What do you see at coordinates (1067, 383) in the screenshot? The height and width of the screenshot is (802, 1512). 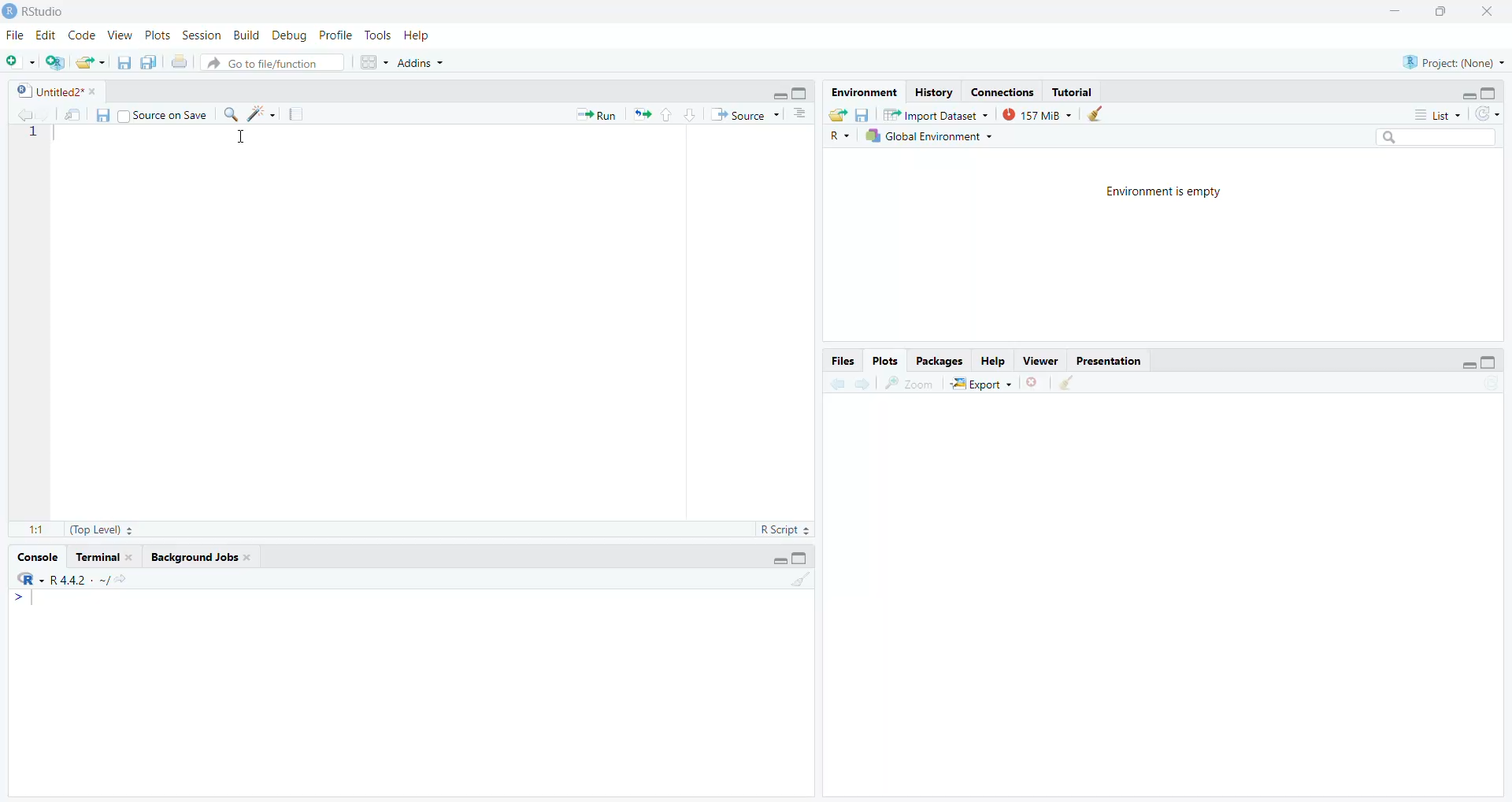 I see `clear all plots` at bounding box center [1067, 383].